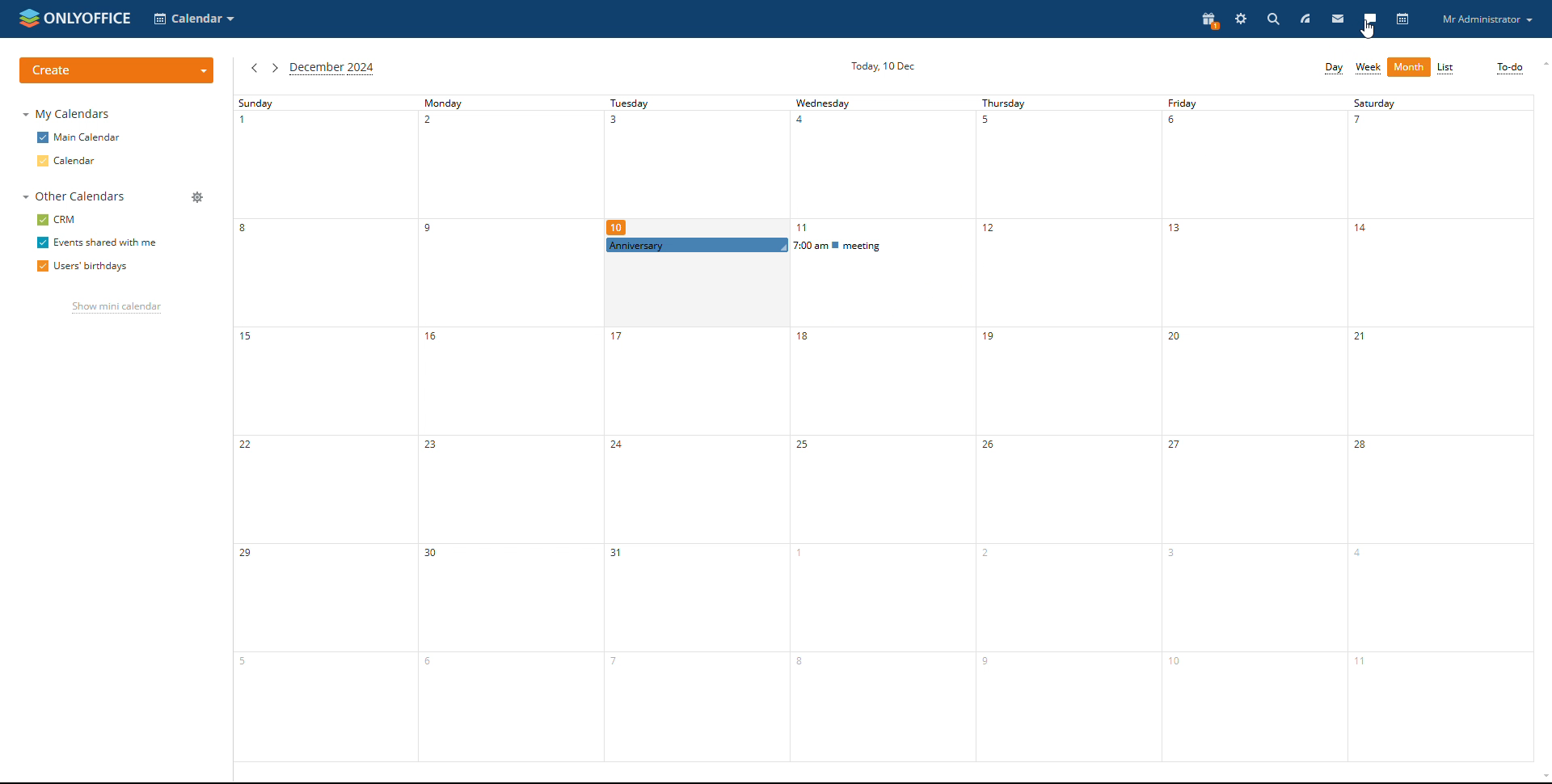 The image size is (1552, 784). I want to click on feed, so click(1305, 19).